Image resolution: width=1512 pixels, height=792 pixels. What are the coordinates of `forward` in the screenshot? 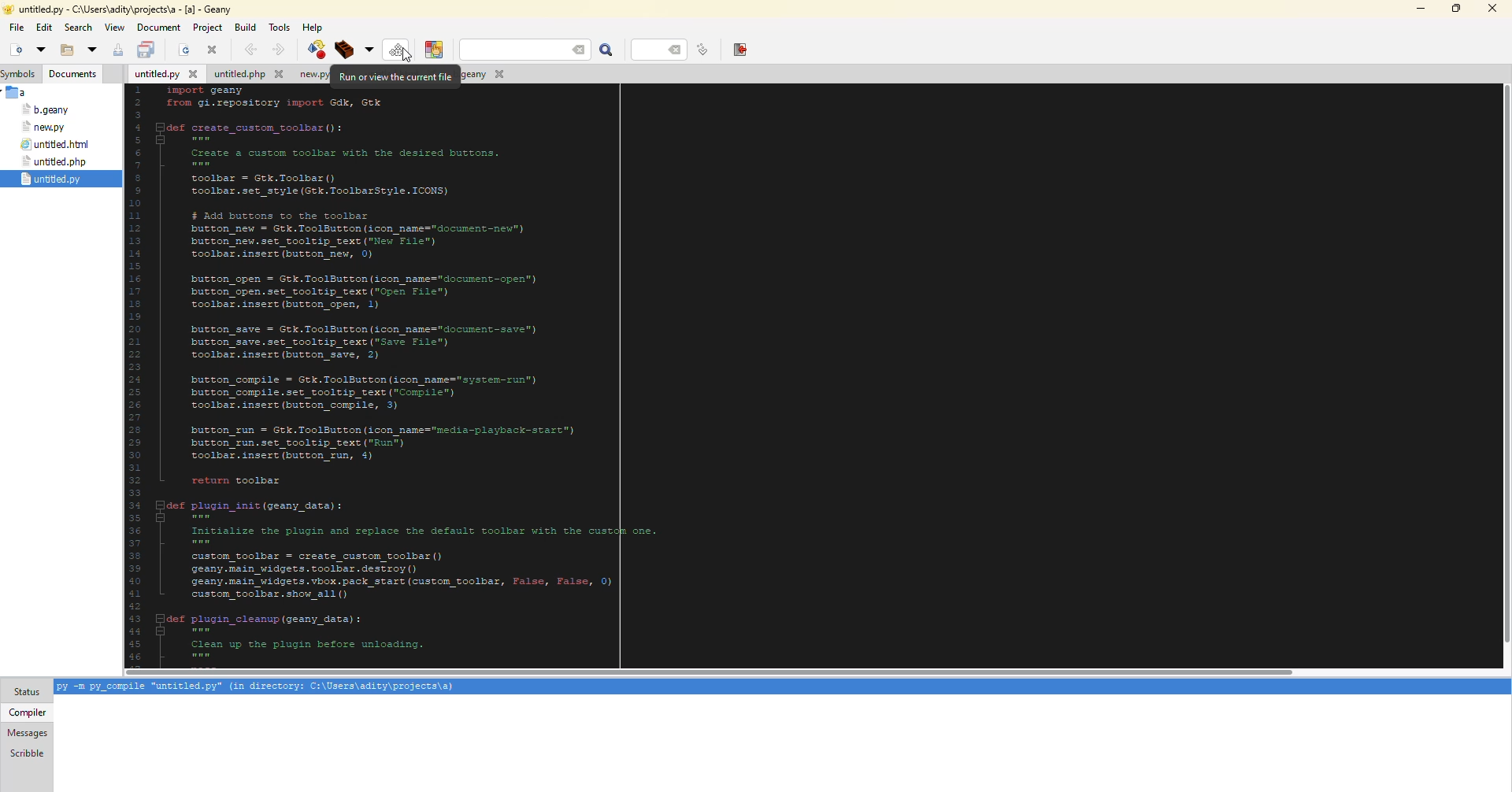 It's located at (280, 48).